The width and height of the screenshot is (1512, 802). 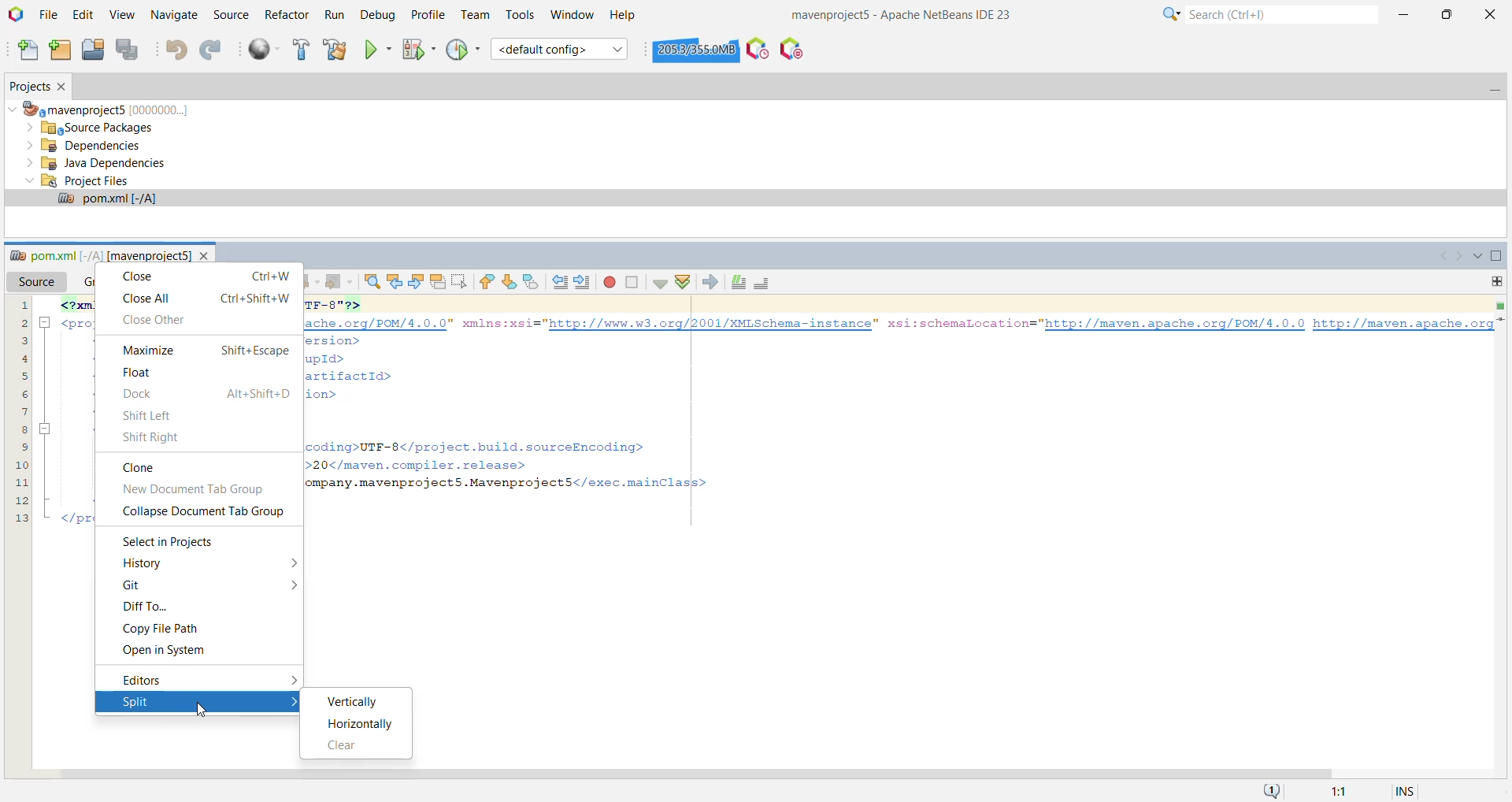 What do you see at coordinates (230, 15) in the screenshot?
I see `Source` at bounding box center [230, 15].